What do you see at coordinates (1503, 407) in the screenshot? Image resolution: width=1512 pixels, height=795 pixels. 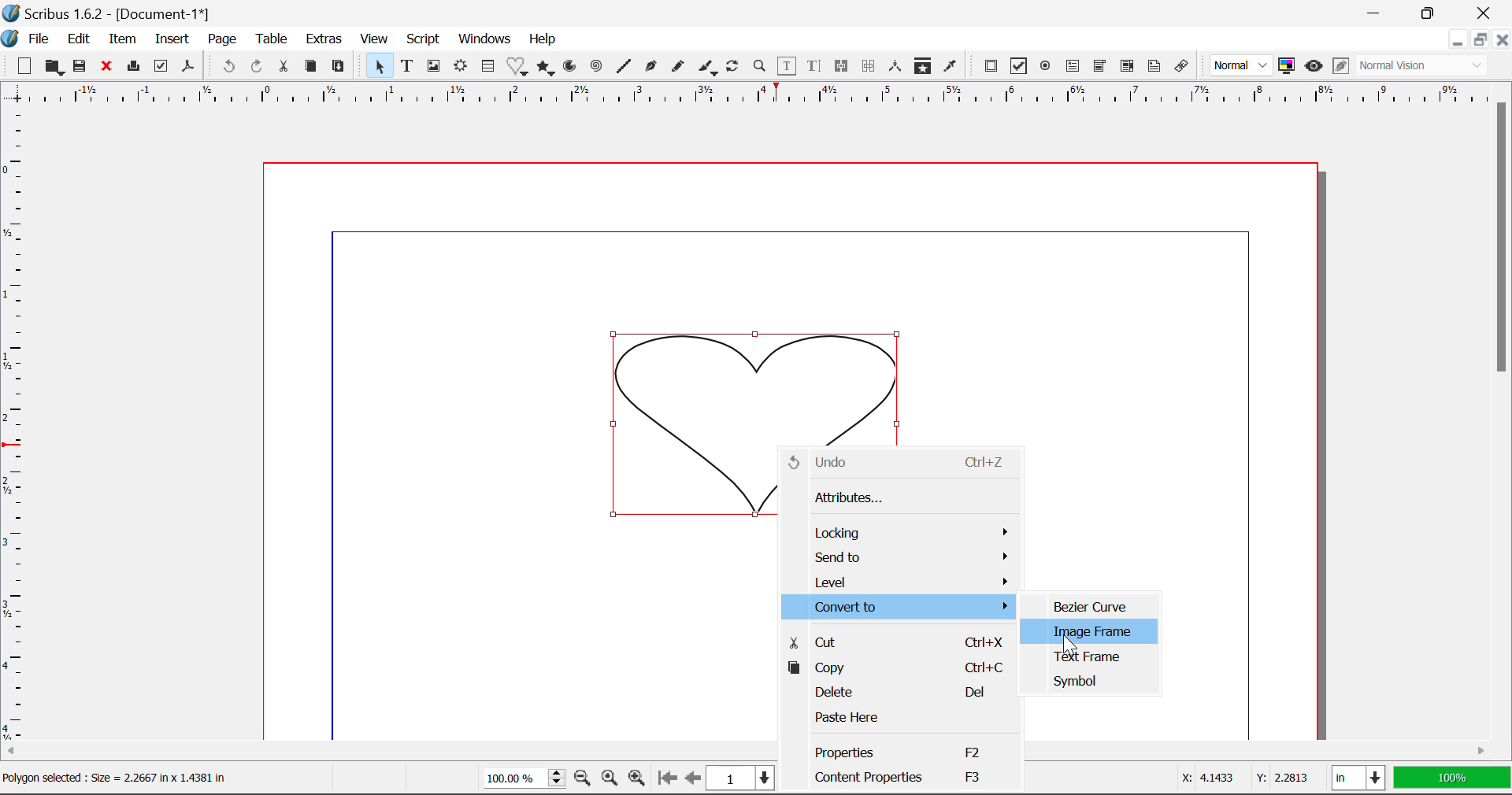 I see `Scroll Bar` at bounding box center [1503, 407].